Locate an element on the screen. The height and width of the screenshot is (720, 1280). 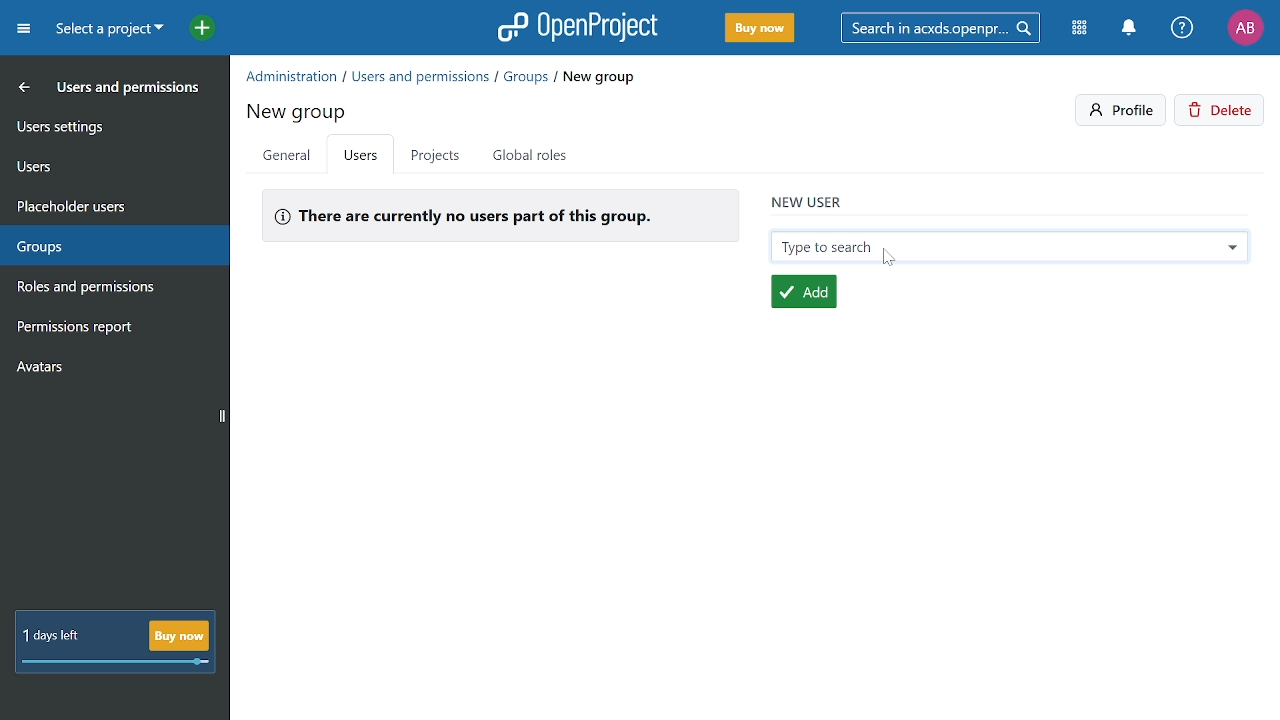
Modules is located at coordinates (1082, 29).